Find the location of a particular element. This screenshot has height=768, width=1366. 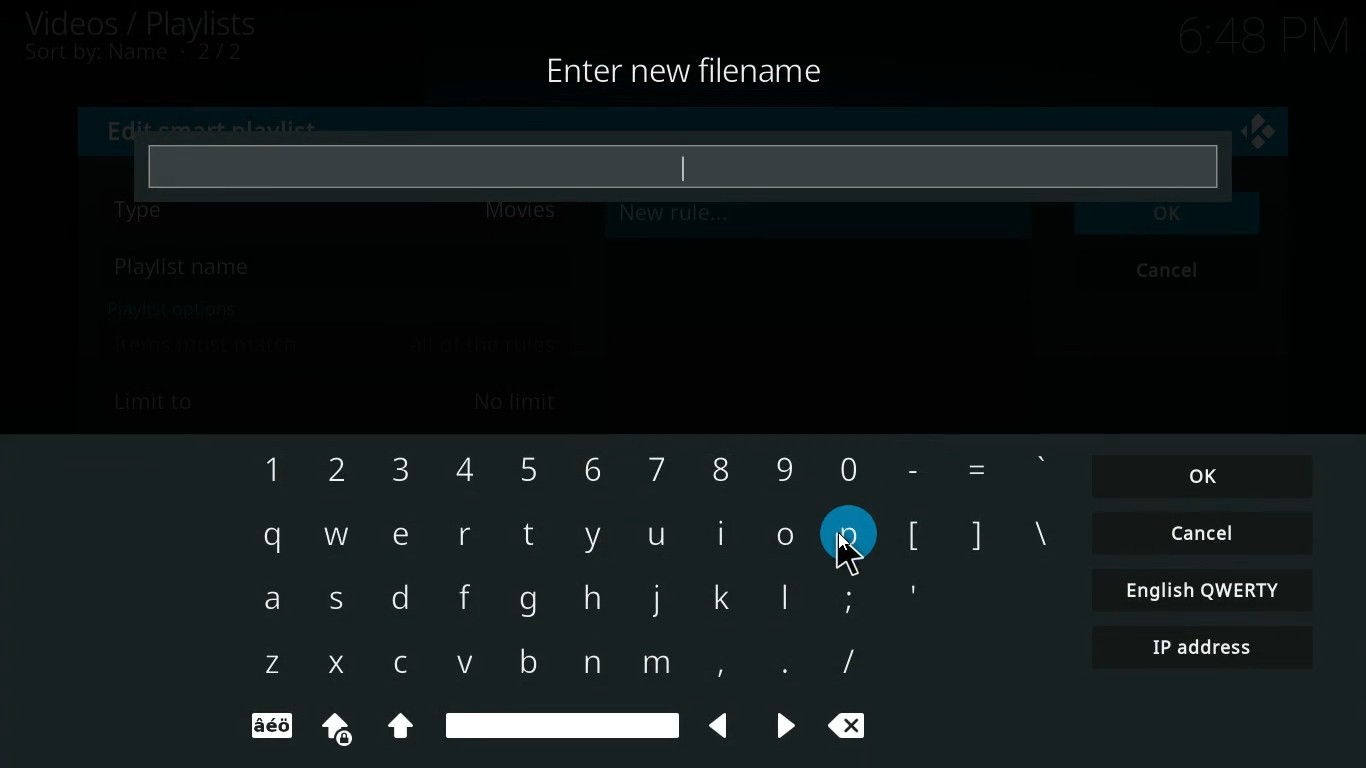

name is located at coordinates (333, 269).